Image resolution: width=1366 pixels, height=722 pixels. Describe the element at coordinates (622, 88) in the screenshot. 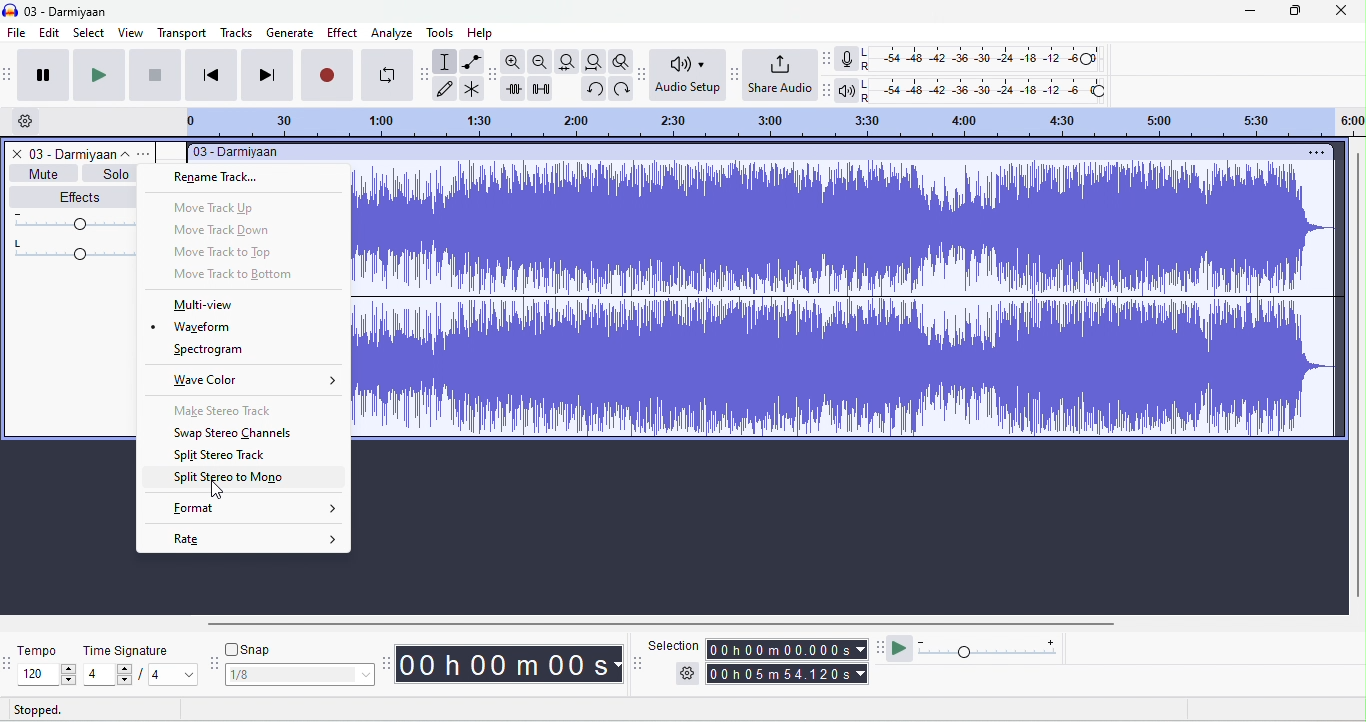

I see `redo` at that location.